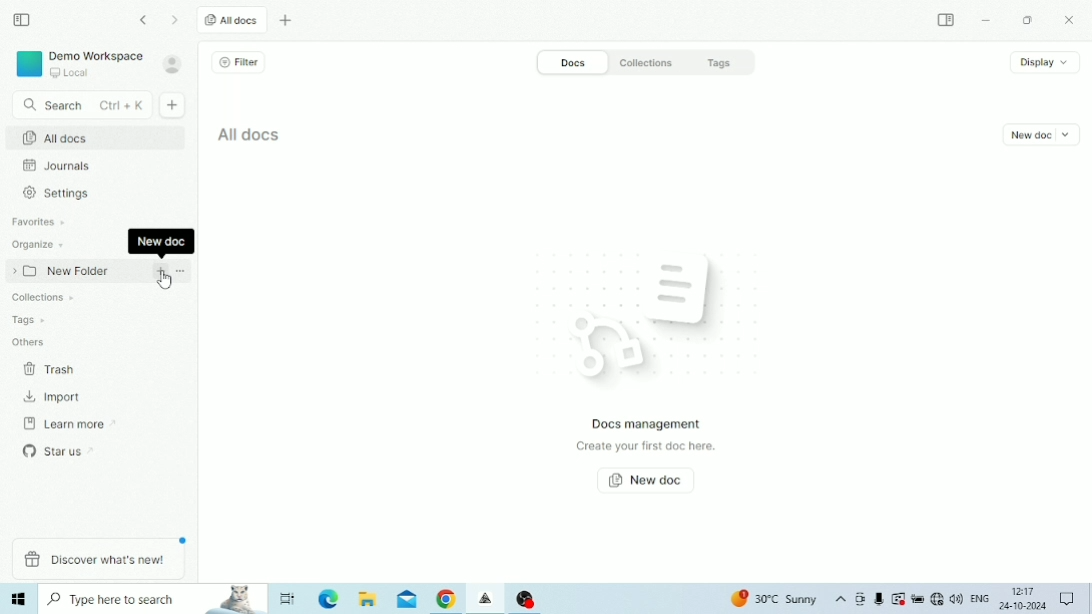 Image resolution: width=1092 pixels, height=614 pixels. What do you see at coordinates (39, 245) in the screenshot?
I see `Organize` at bounding box center [39, 245].